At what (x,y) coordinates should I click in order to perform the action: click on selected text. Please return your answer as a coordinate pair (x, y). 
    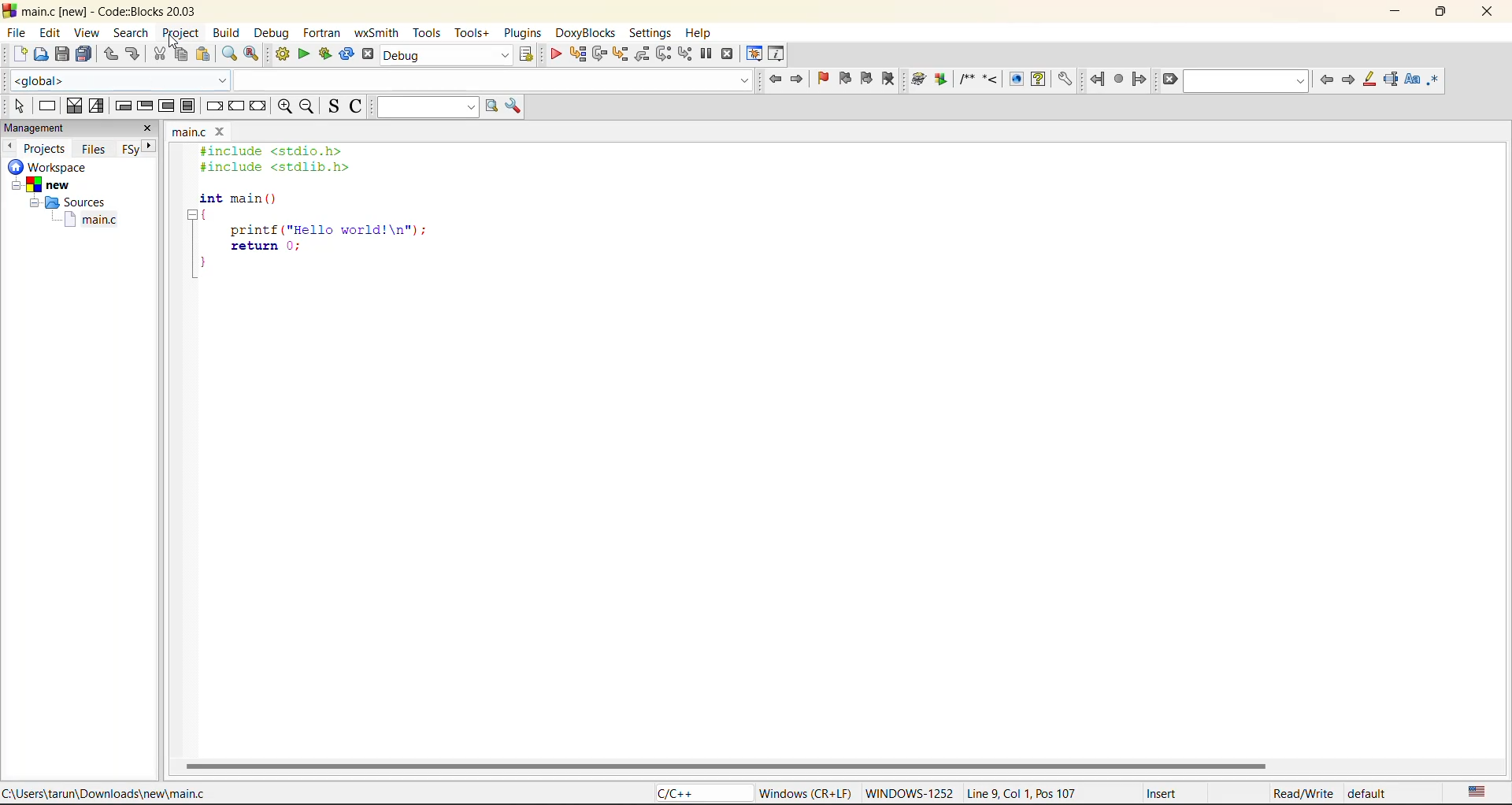
    Looking at the image, I should click on (1392, 80).